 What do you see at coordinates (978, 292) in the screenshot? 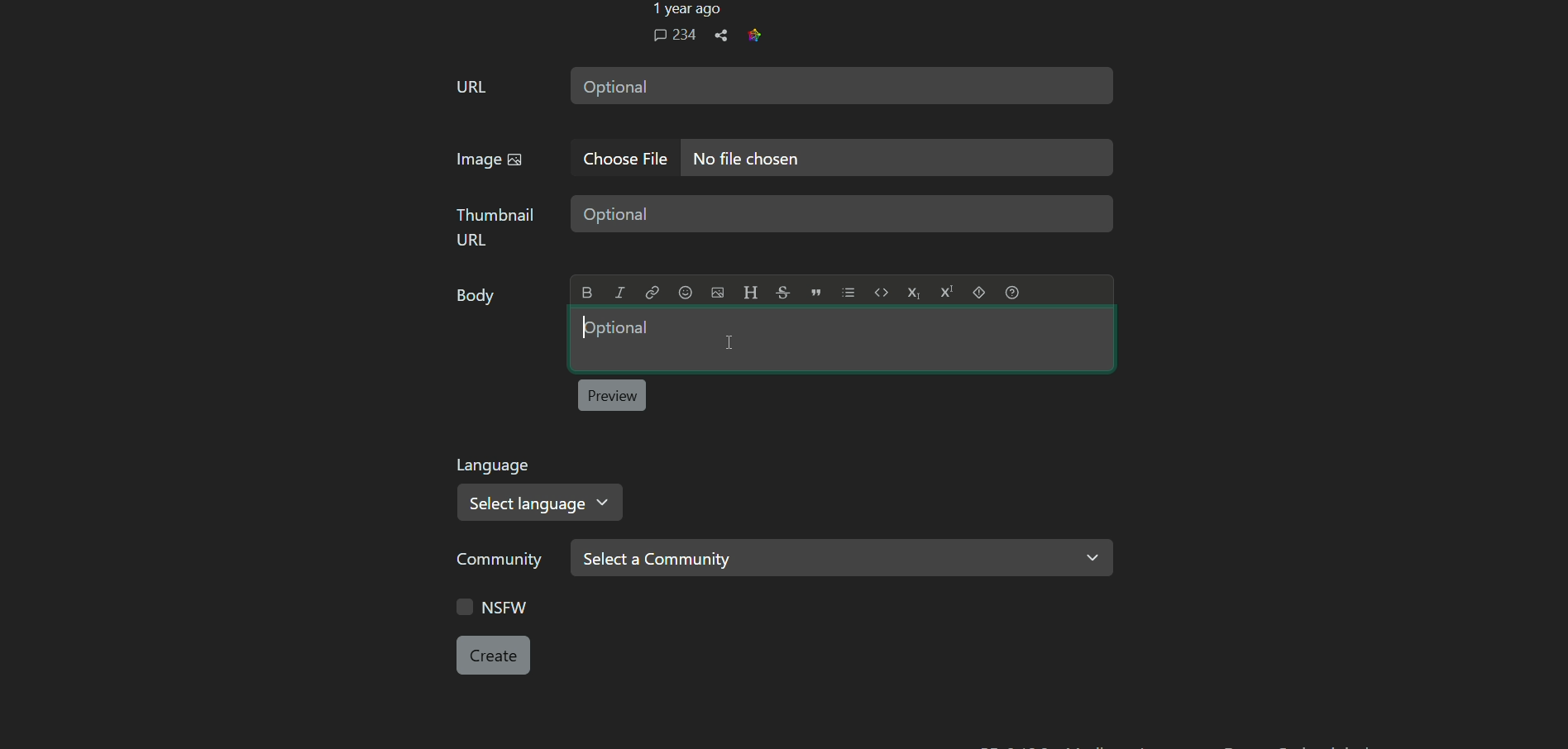
I see `Spoiler` at bounding box center [978, 292].